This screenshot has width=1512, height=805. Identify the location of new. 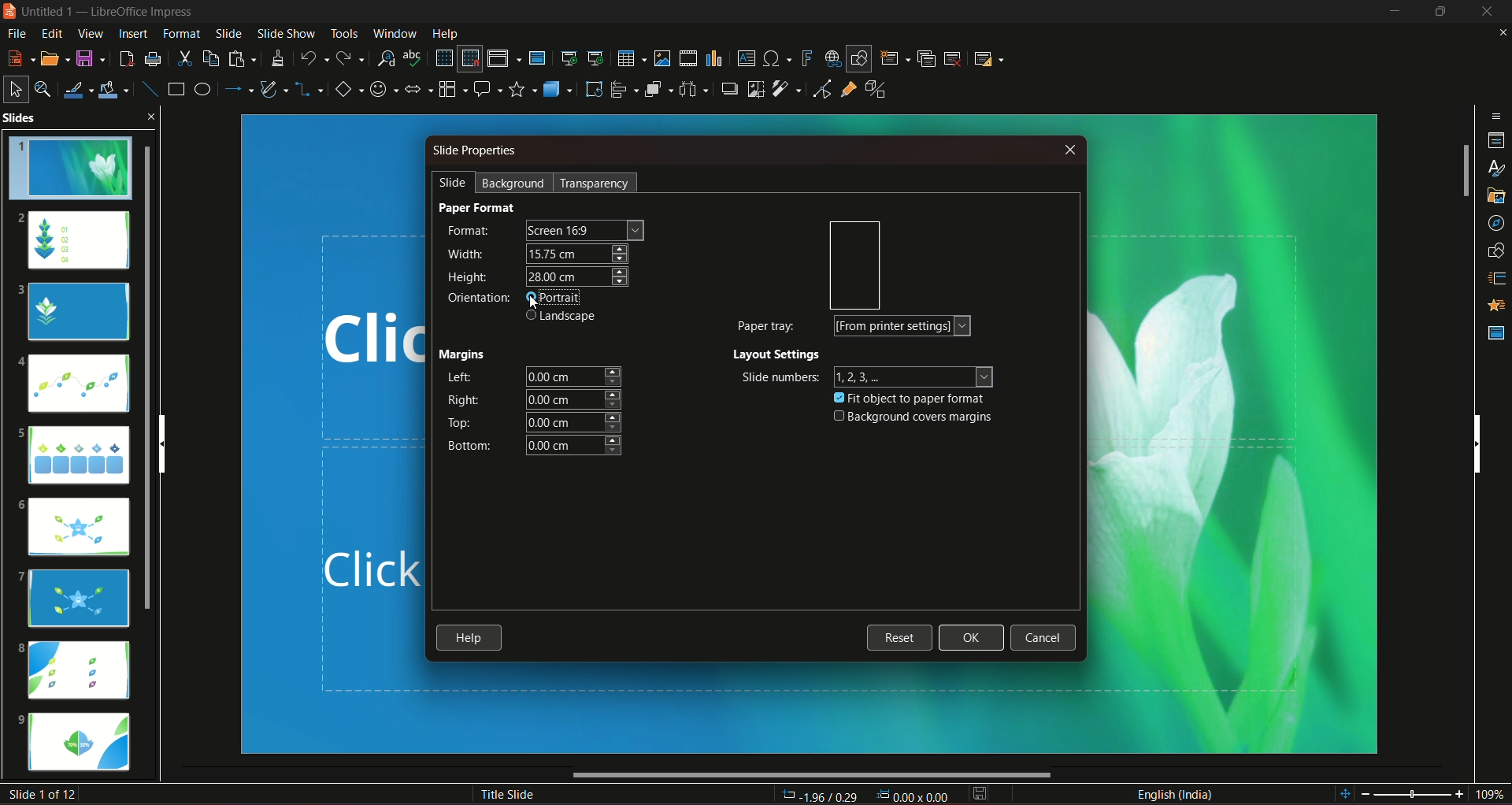
(20, 57).